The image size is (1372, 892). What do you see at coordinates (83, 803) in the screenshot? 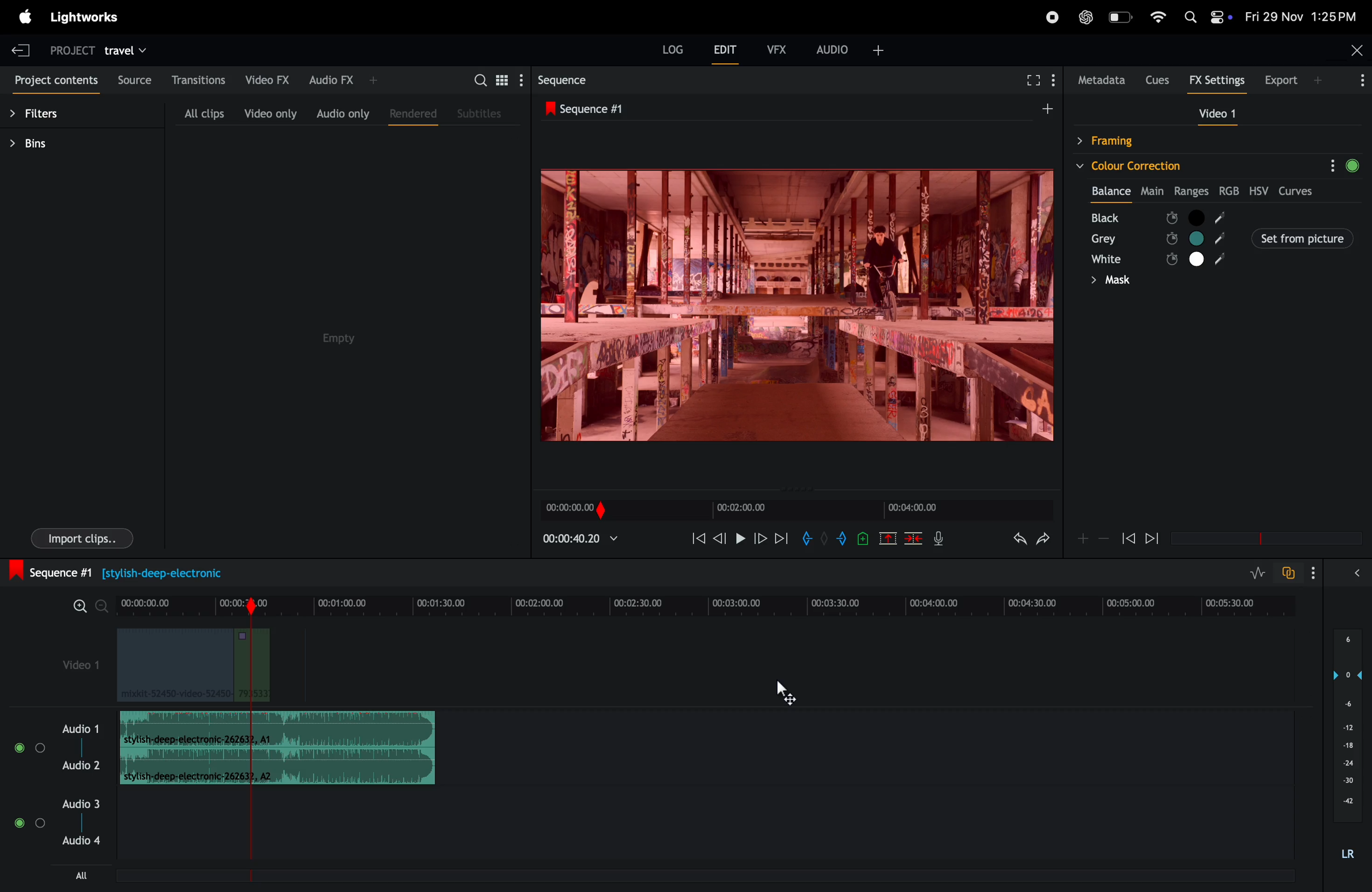
I see `Audio 3` at bounding box center [83, 803].